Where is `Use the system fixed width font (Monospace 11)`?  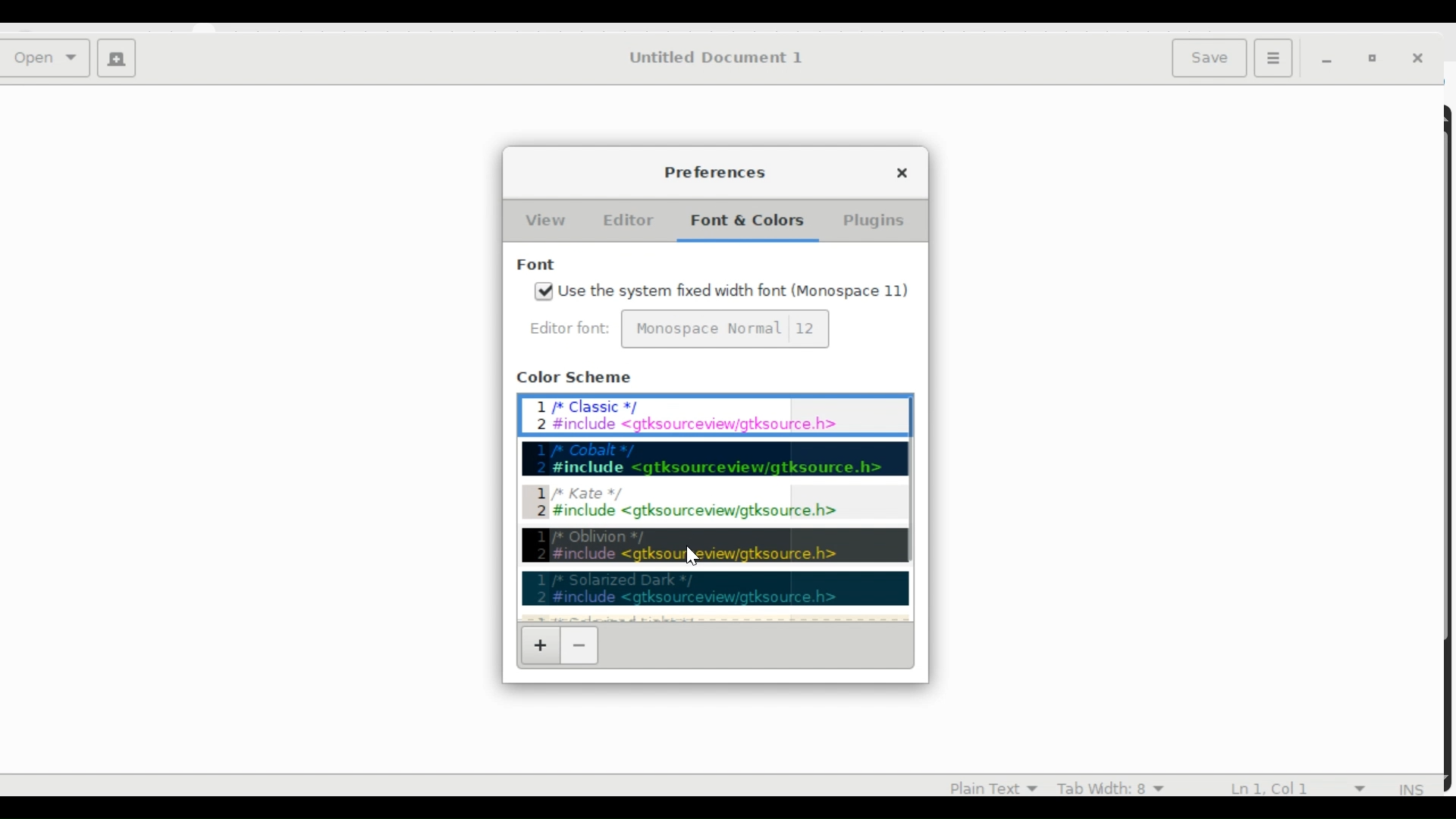
Use the system fixed width font (Monospace 11) is located at coordinates (733, 291).